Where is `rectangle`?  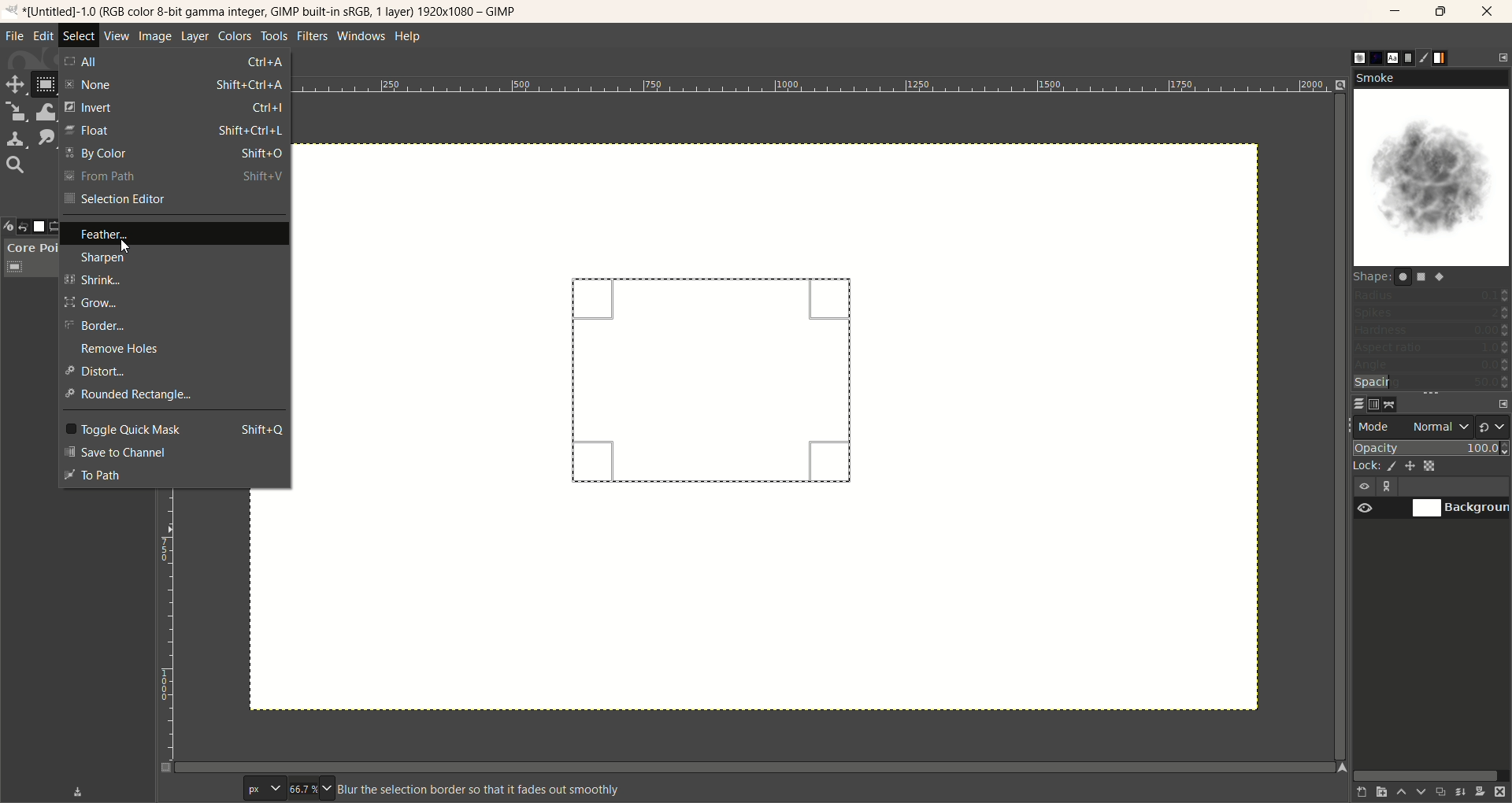
rectangle is located at coordinates (721, 379).